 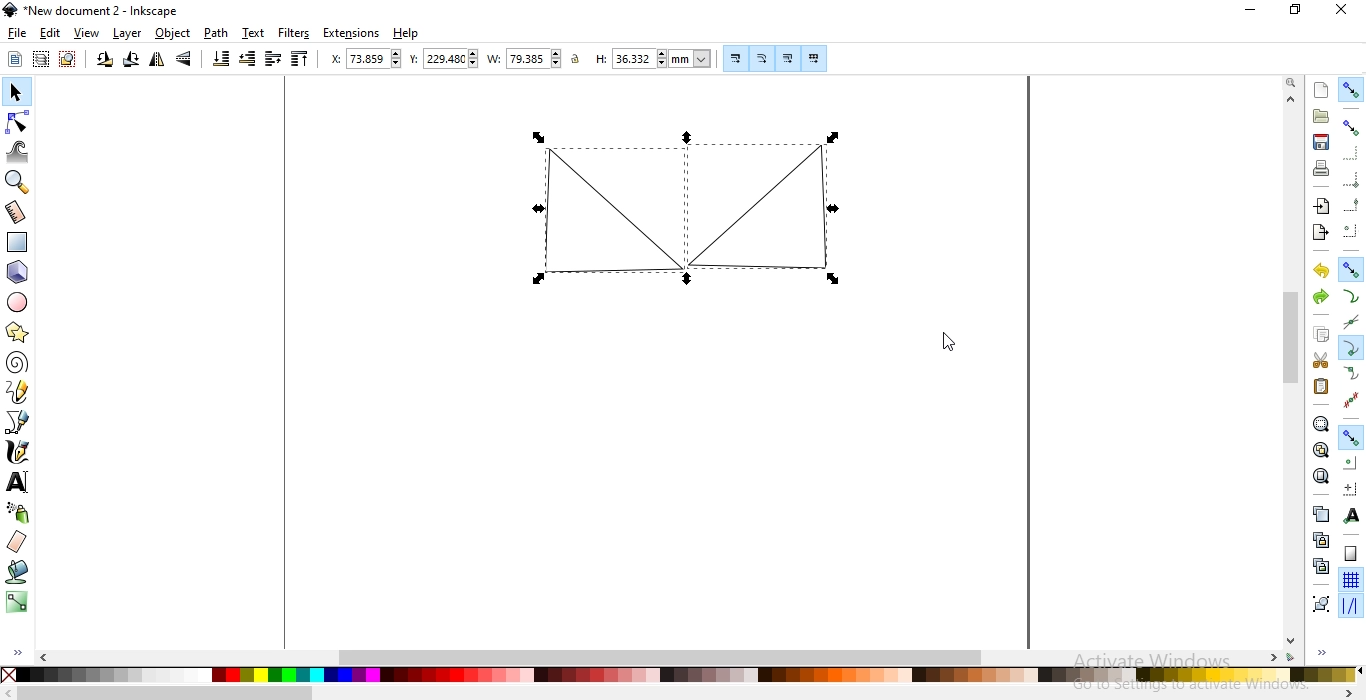 I want to click on zoom to fit drawing in window, so click(x=1320, y=448).